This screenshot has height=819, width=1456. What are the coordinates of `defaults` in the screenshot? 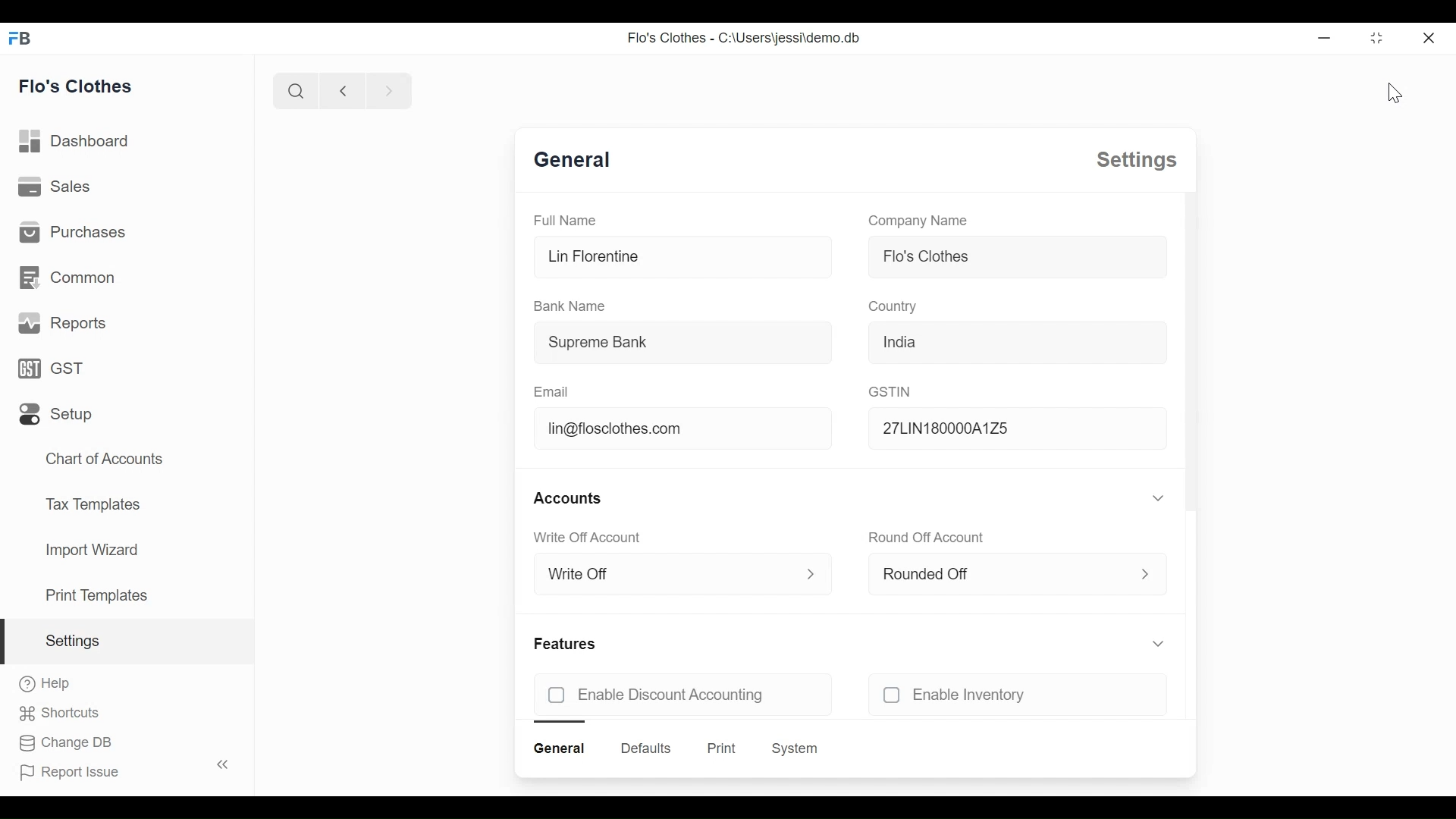 It's located at (645, 748).